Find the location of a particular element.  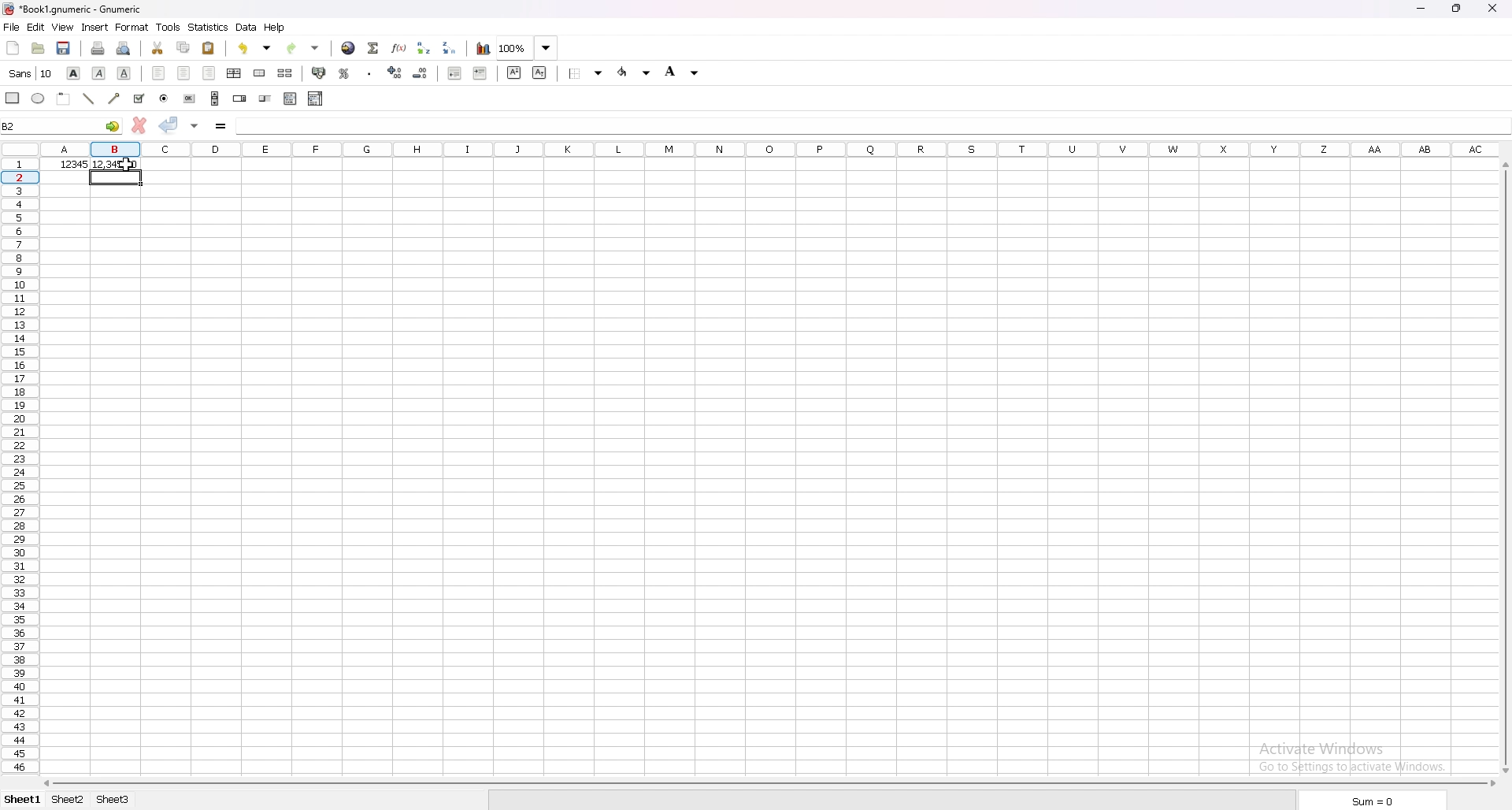

font is located at coordinates (32, 73).